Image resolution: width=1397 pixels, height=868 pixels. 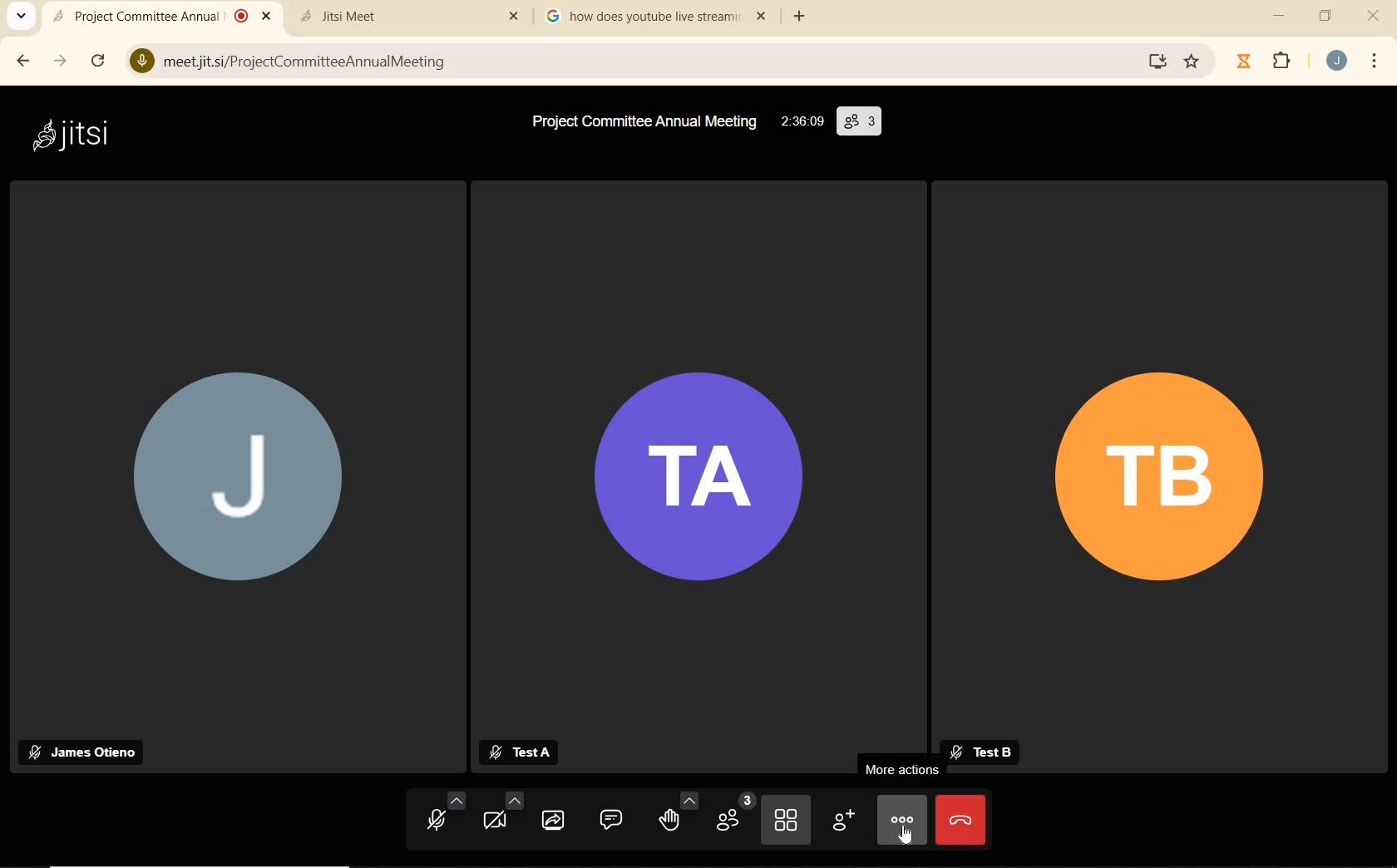 What do you see at coordinates (20, 62) in the screenshot?
I see `BACK` at bounding box center [20, 62].